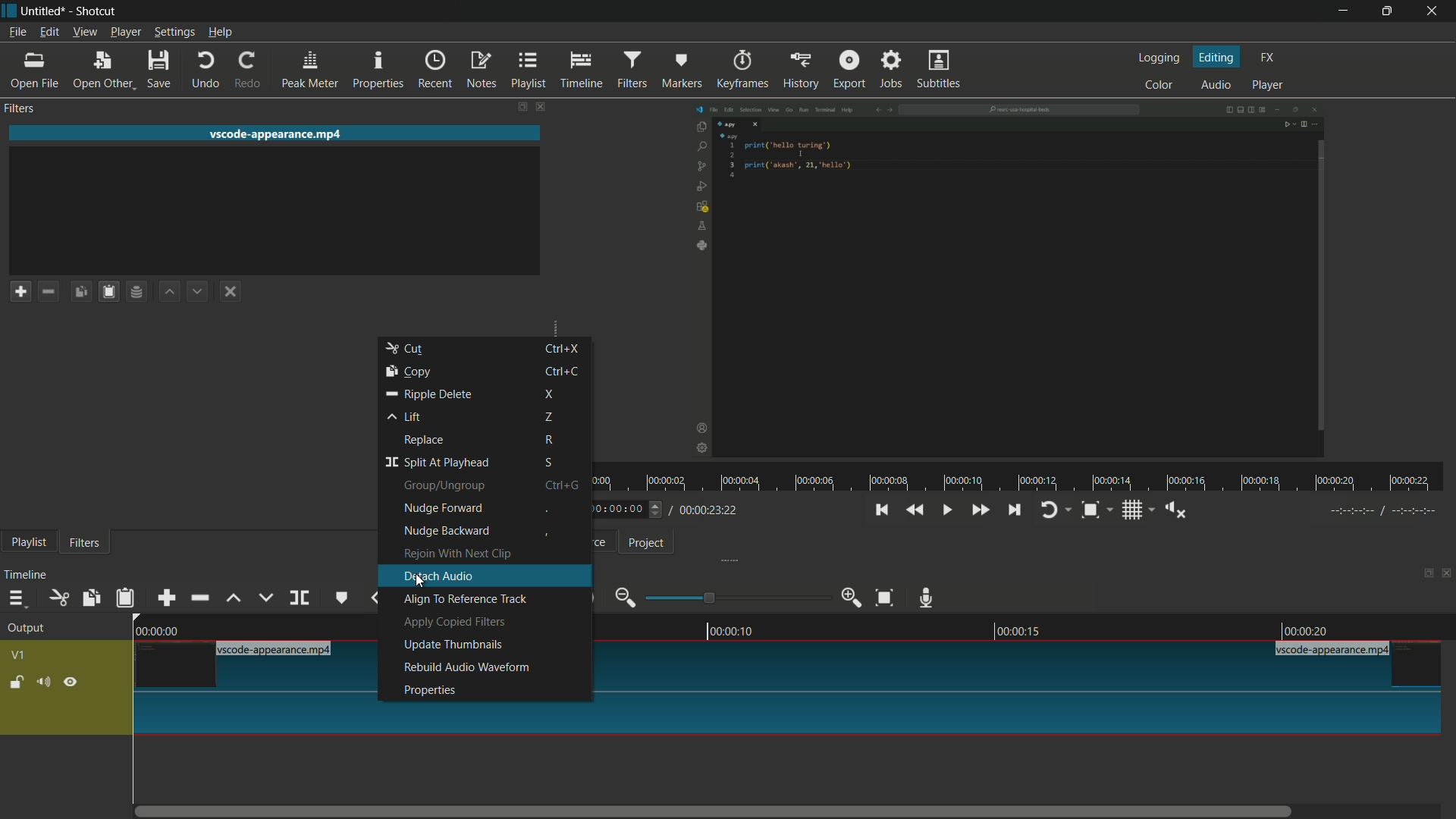 The image size is (1456, 819). Describe the element at coordinates (279, 133) in the screenshot. I see `import file name` at that location.